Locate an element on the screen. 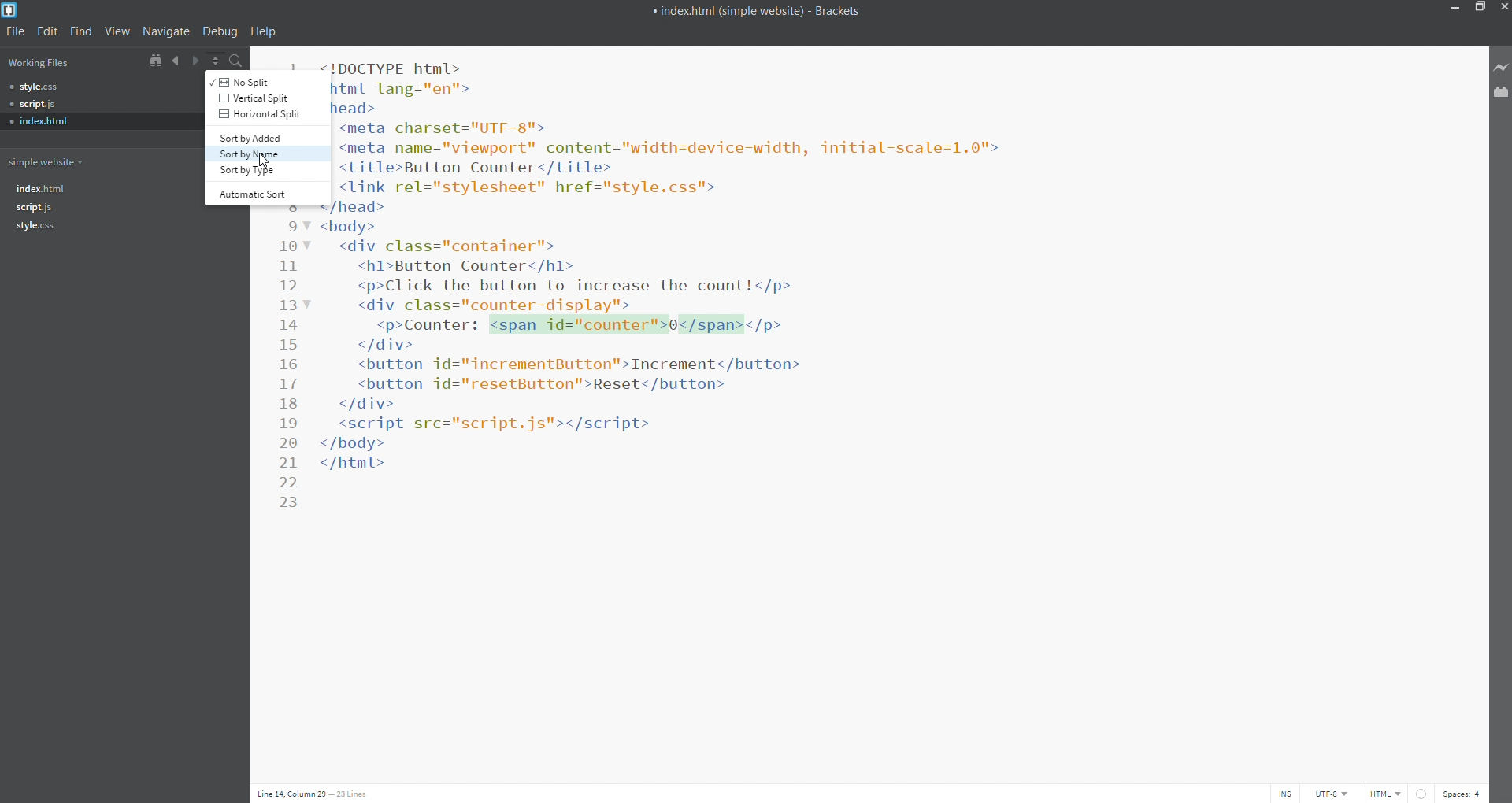  no split is located at coordinates (255, 81).